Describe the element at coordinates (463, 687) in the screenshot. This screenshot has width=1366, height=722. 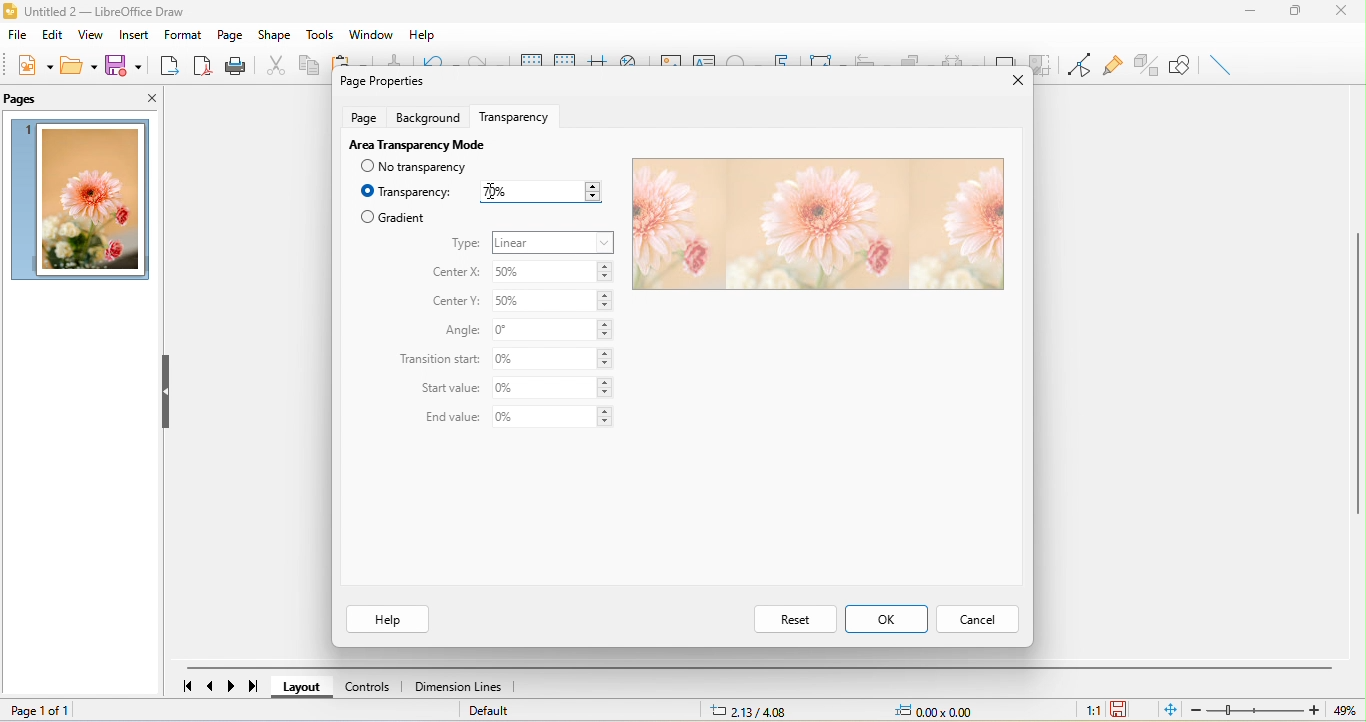
I see `dimension lines` at that location.